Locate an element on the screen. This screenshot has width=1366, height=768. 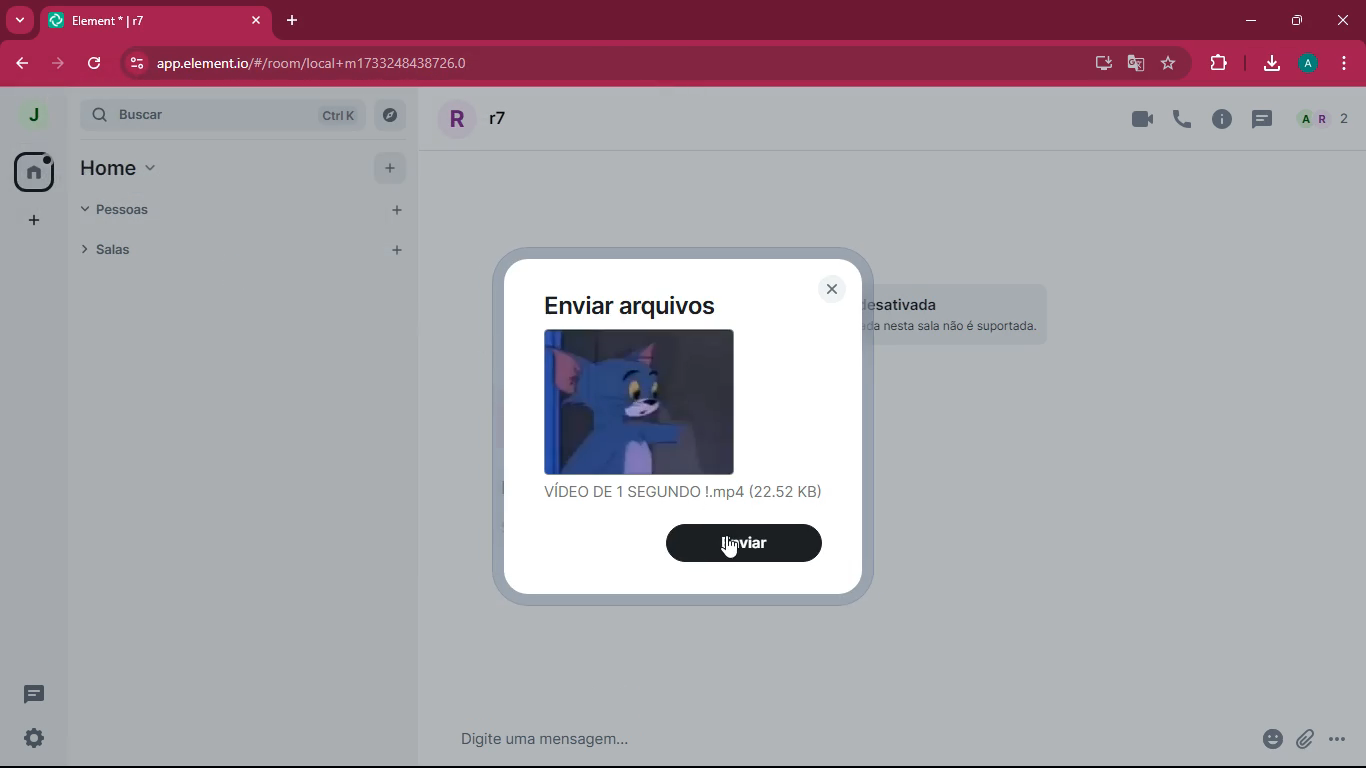
anexo is located at coordinates (1260, 740).